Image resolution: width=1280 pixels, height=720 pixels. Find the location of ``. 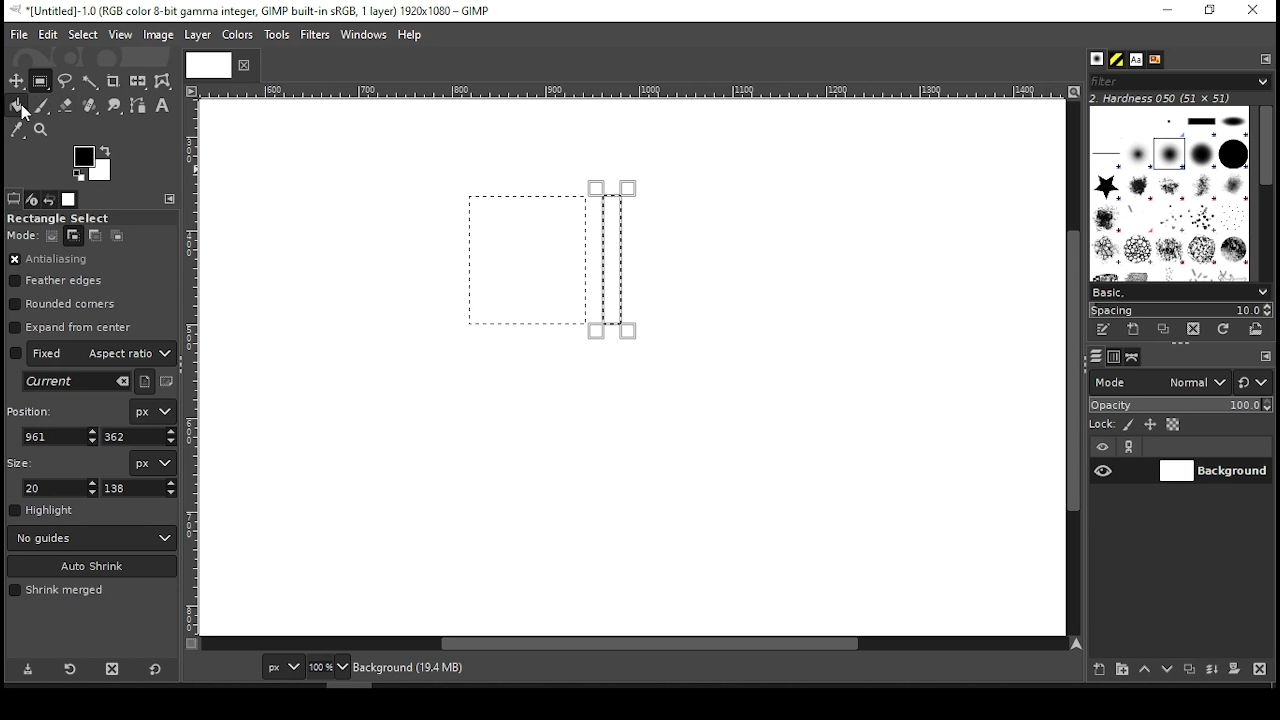

 is located at coordinates (629, 92).